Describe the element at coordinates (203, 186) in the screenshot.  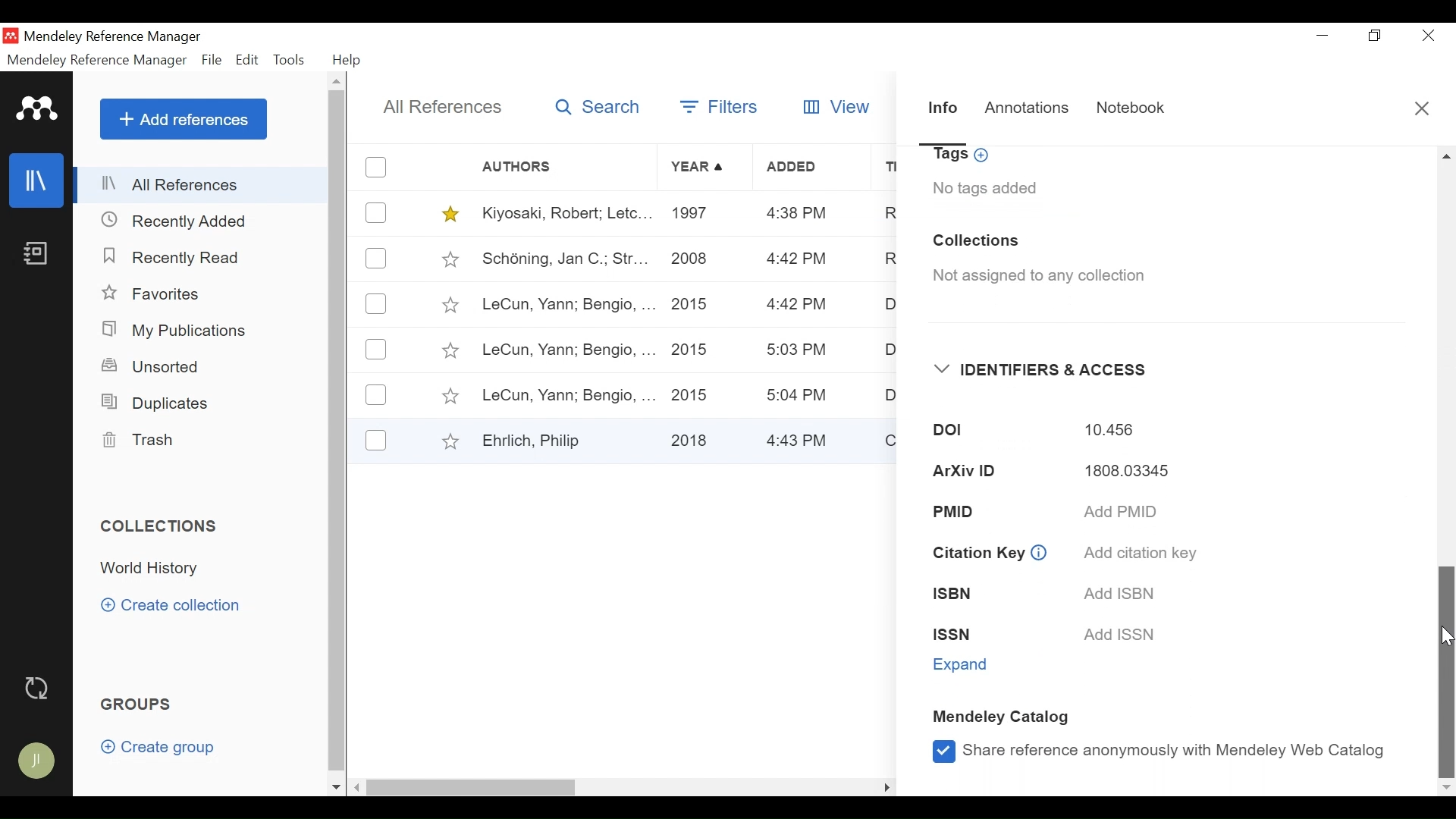
I see `All References` at that location.